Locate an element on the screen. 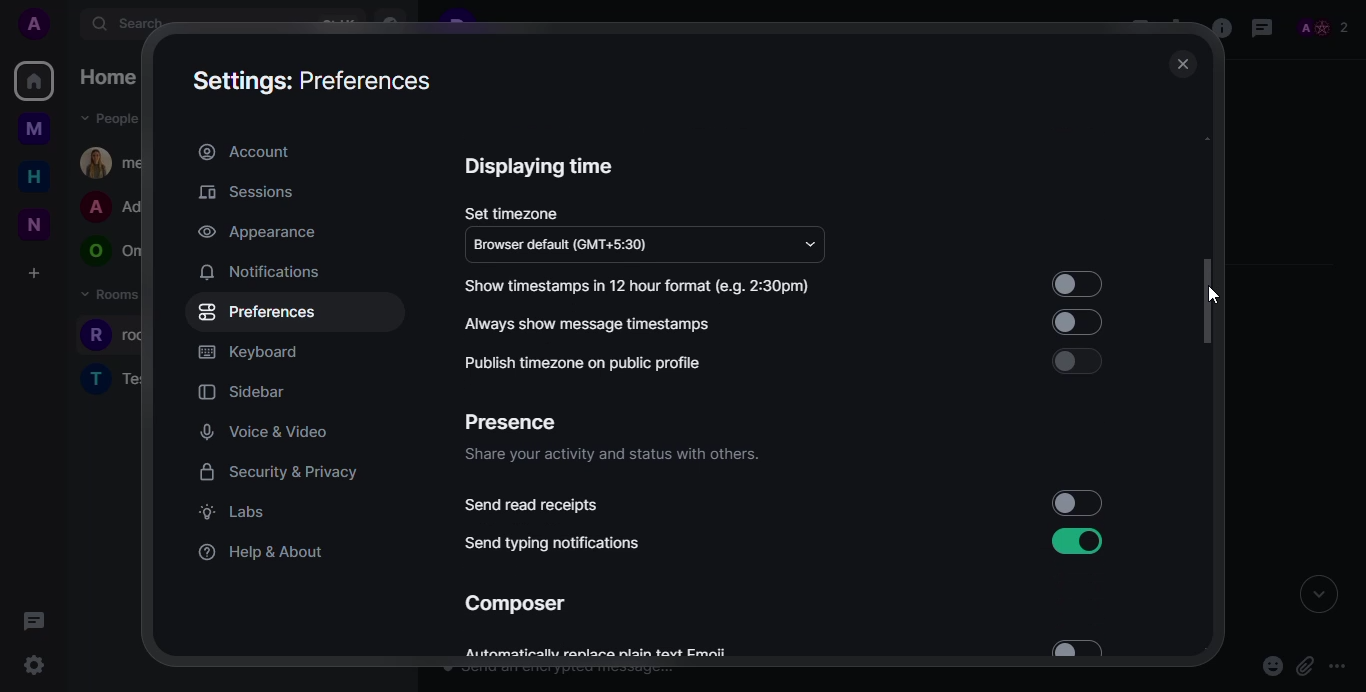 This screenshot has width=1366, height=692. labs is located at coordinates (230, 511).